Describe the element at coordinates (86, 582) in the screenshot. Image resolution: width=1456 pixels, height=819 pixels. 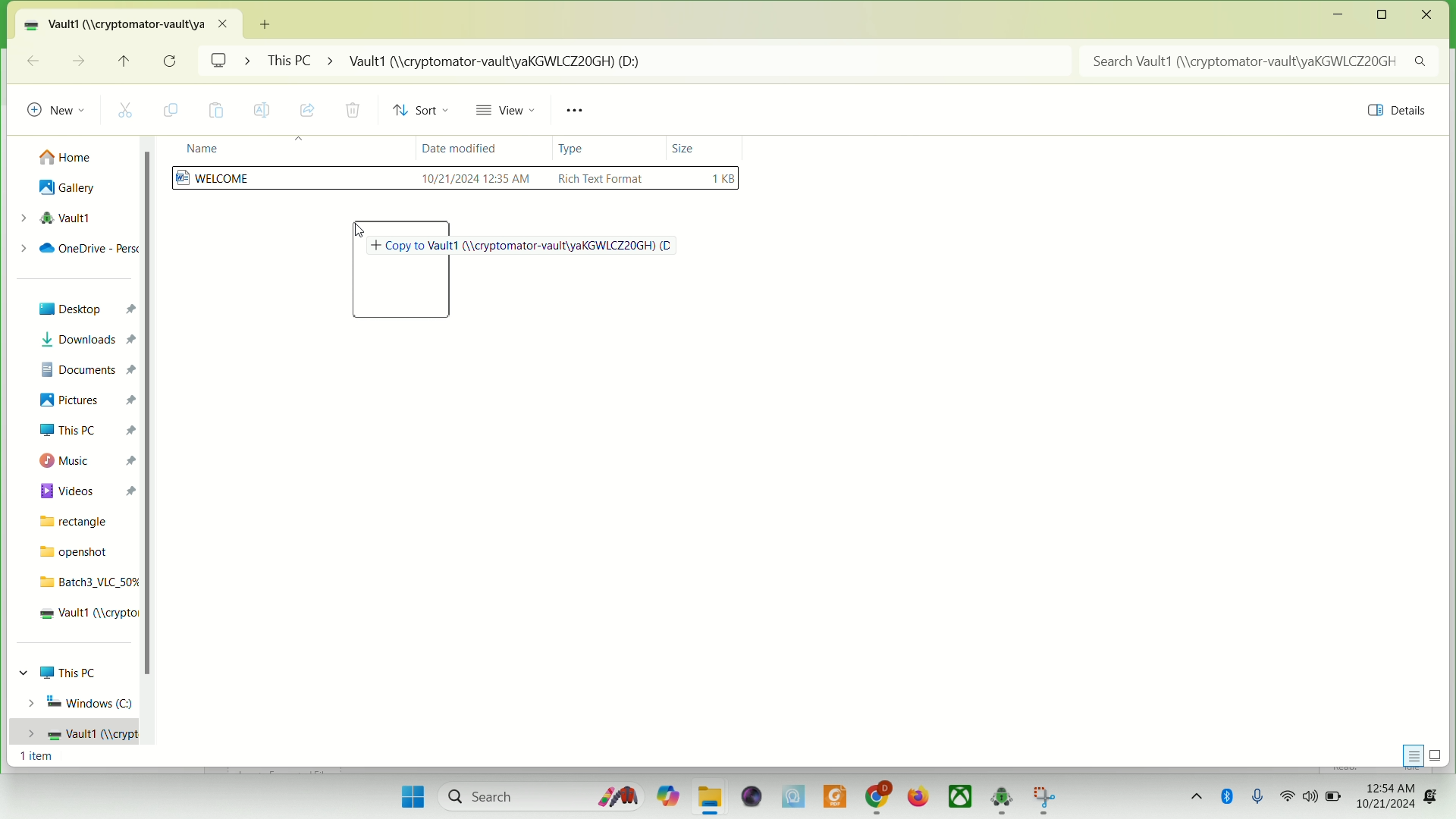
I see `batch3` at that location.